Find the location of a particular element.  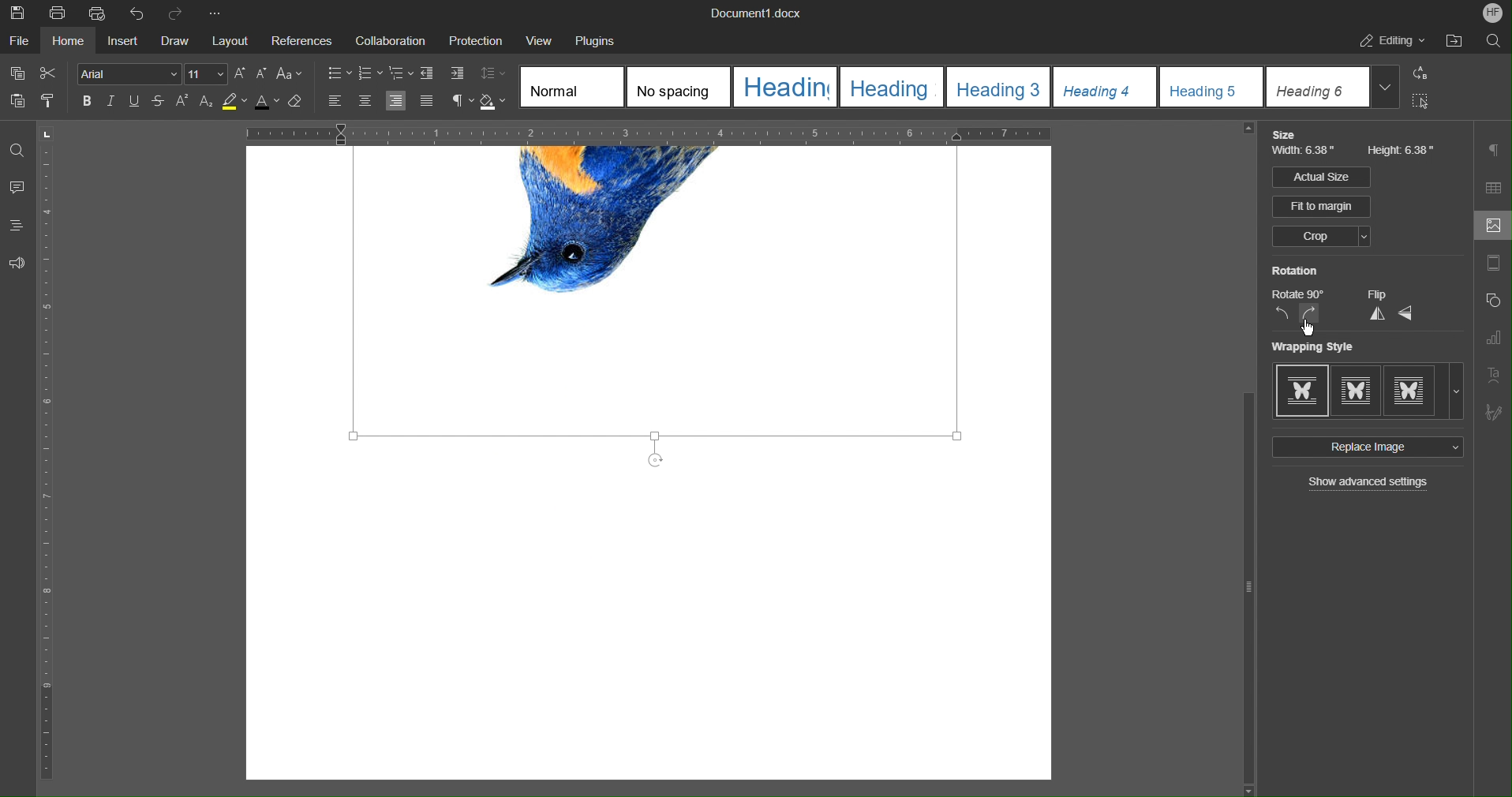

Signature is located at coordinates (1493, 412).